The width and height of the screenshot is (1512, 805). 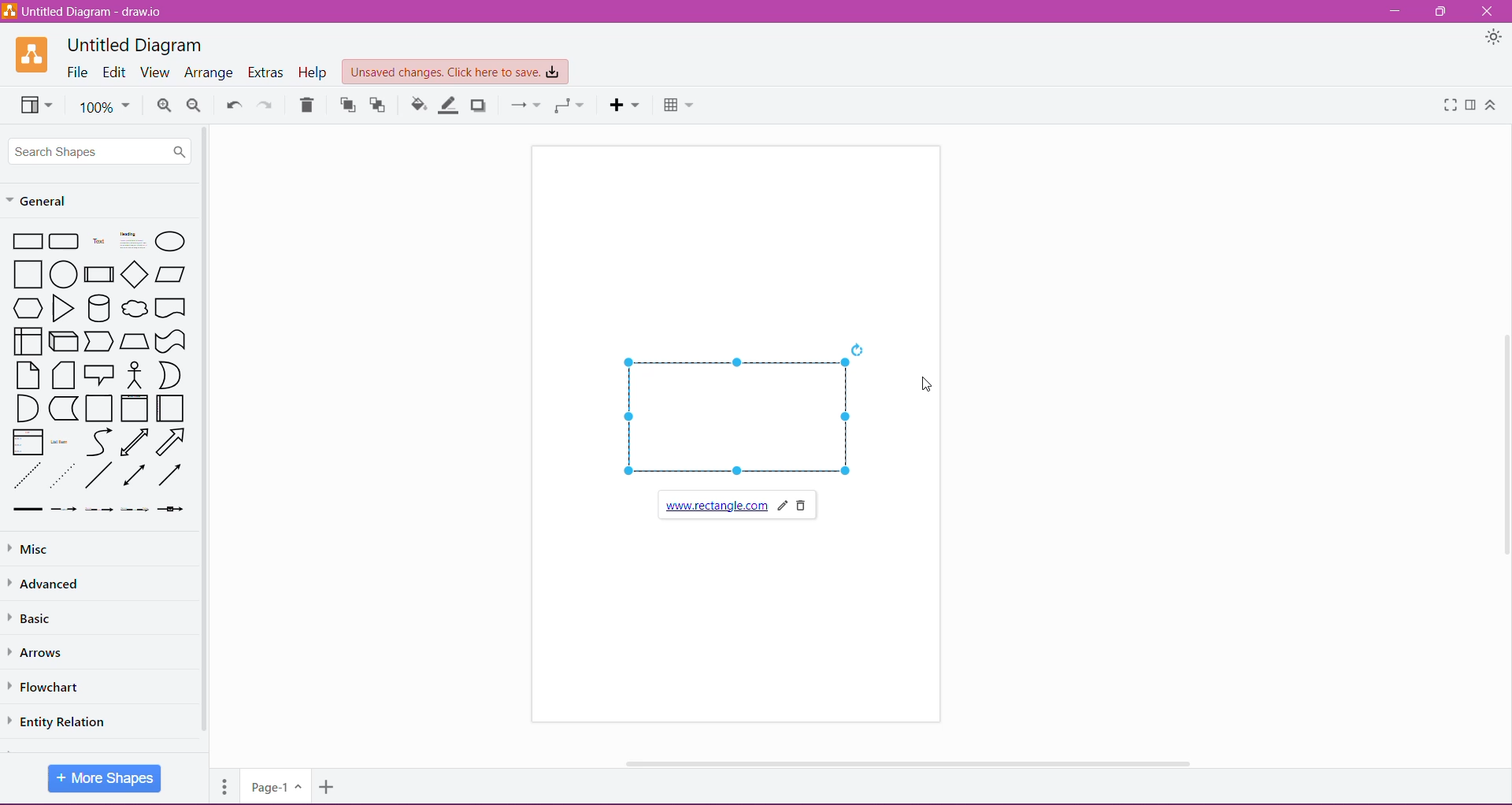 What do you see at coordinates (1451, 106) in the screenshot?
I see `Fullscreen` at bounding box center [1451, 106].